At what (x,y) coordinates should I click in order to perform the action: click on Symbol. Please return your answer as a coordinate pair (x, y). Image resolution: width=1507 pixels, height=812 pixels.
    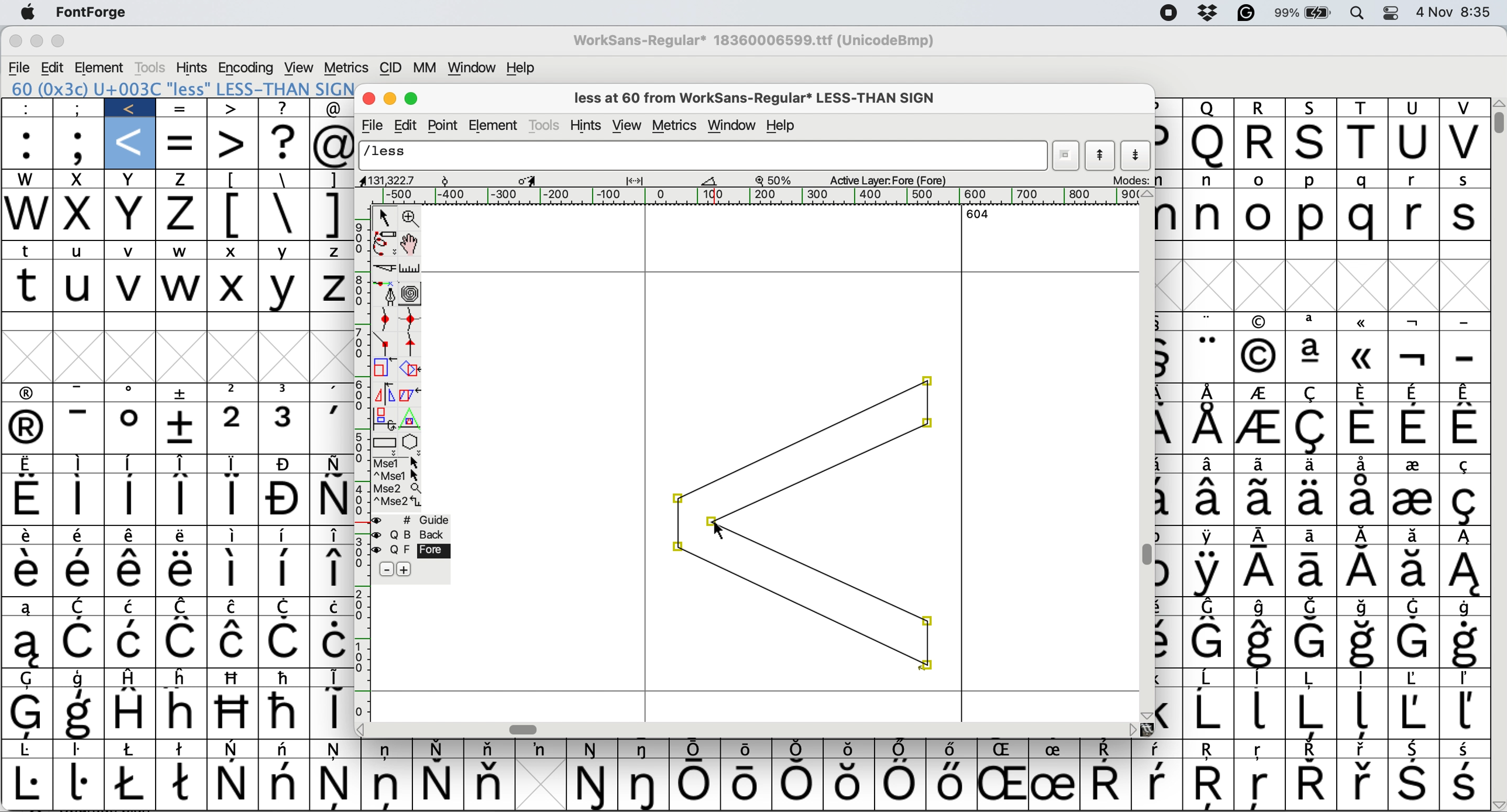
    Looking at the image, I should click on (1464, 644).